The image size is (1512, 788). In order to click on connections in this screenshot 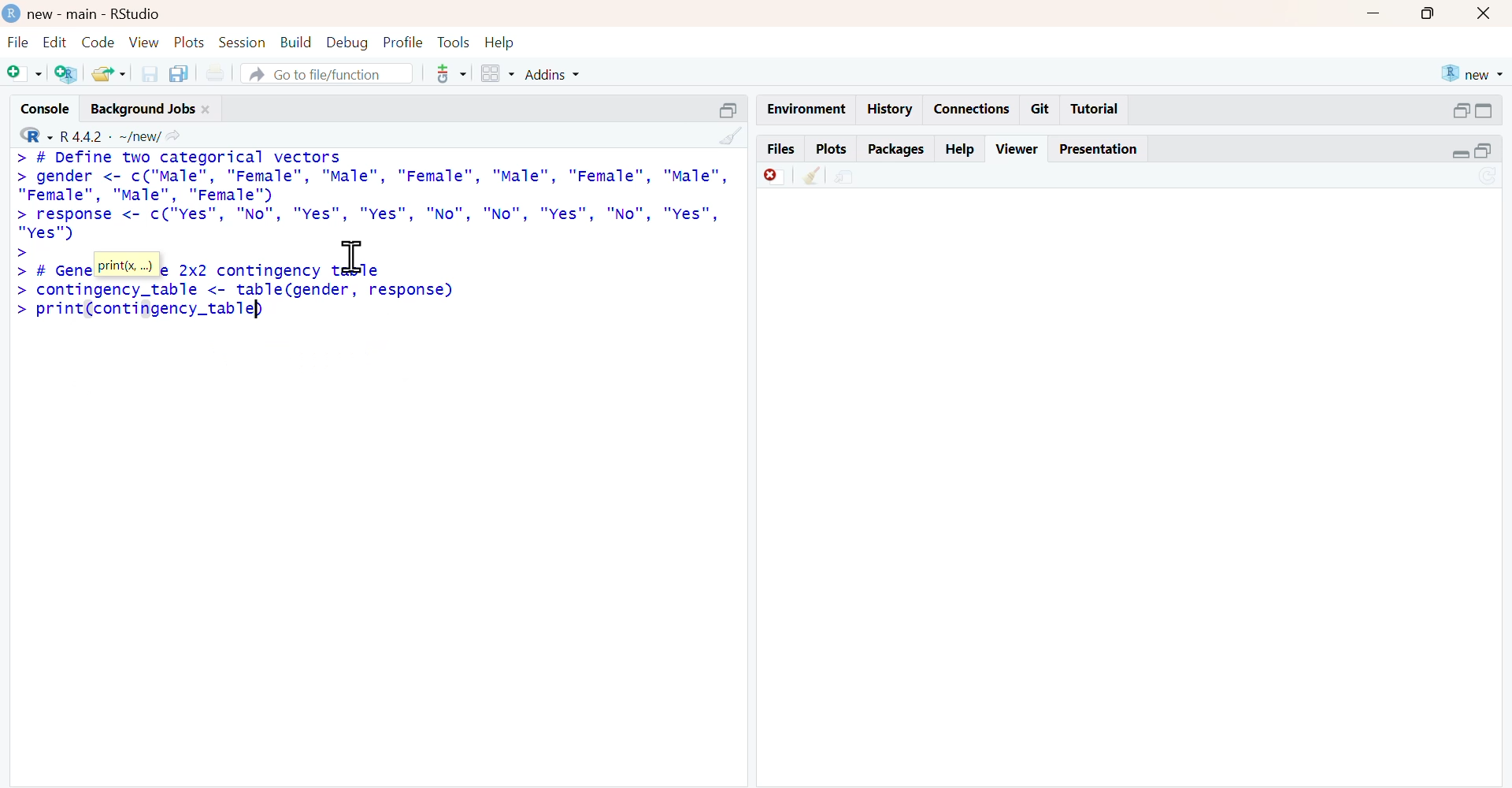, I will do `click(973, 110)`.